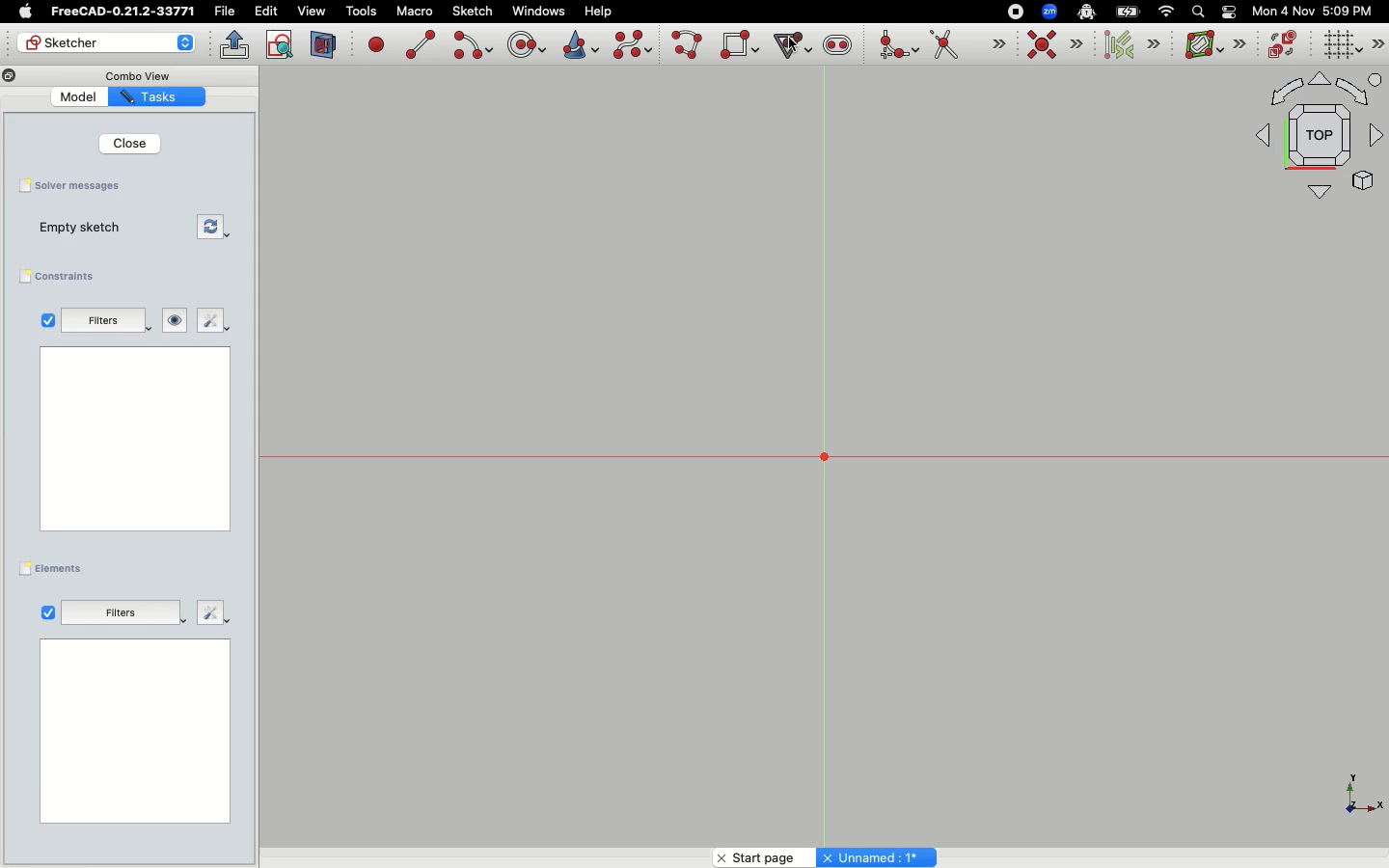  I want to click on Battery, so click(1129, 11).